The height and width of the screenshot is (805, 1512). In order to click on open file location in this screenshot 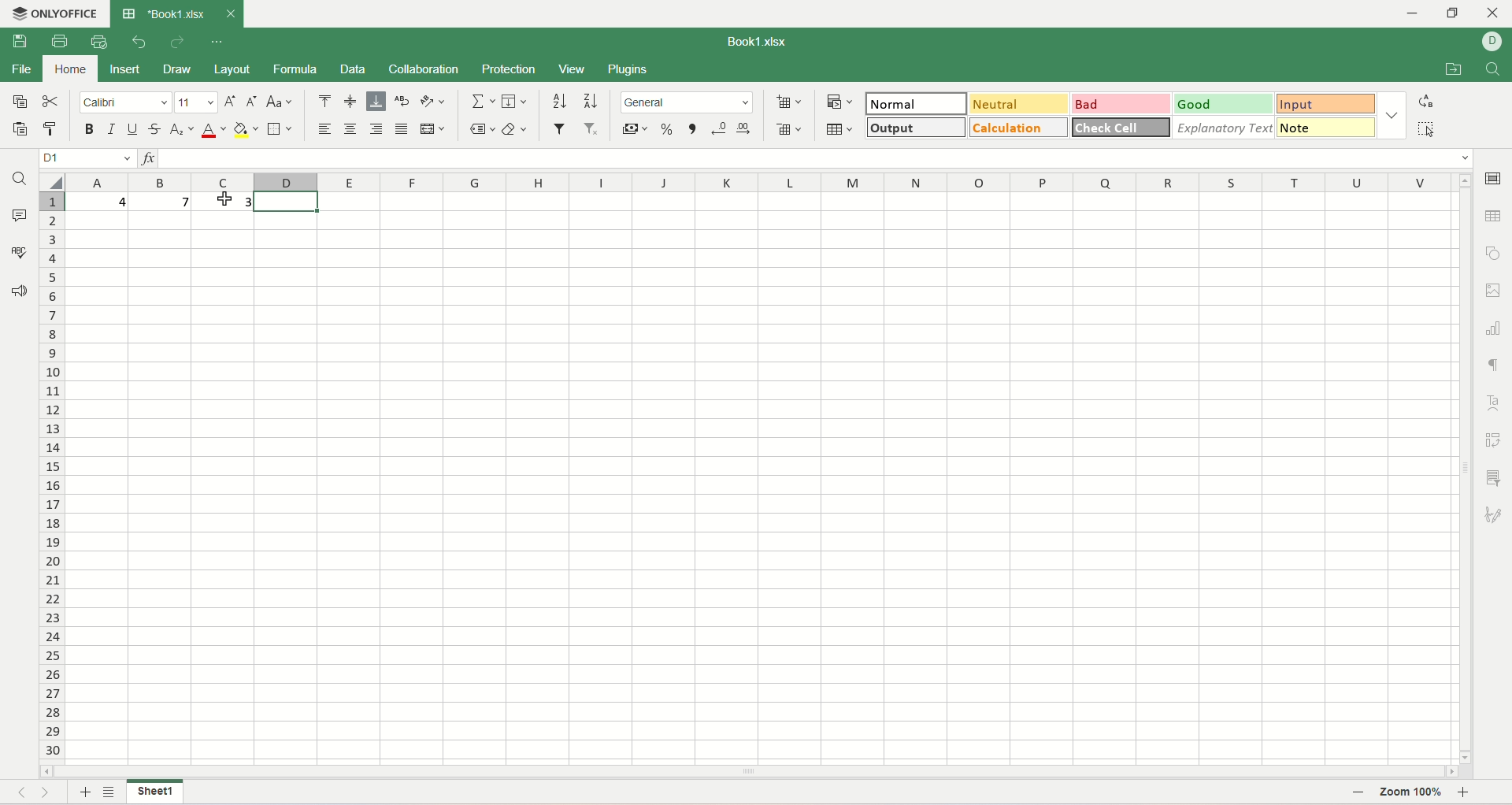, I will do `click(1454, 69)`.